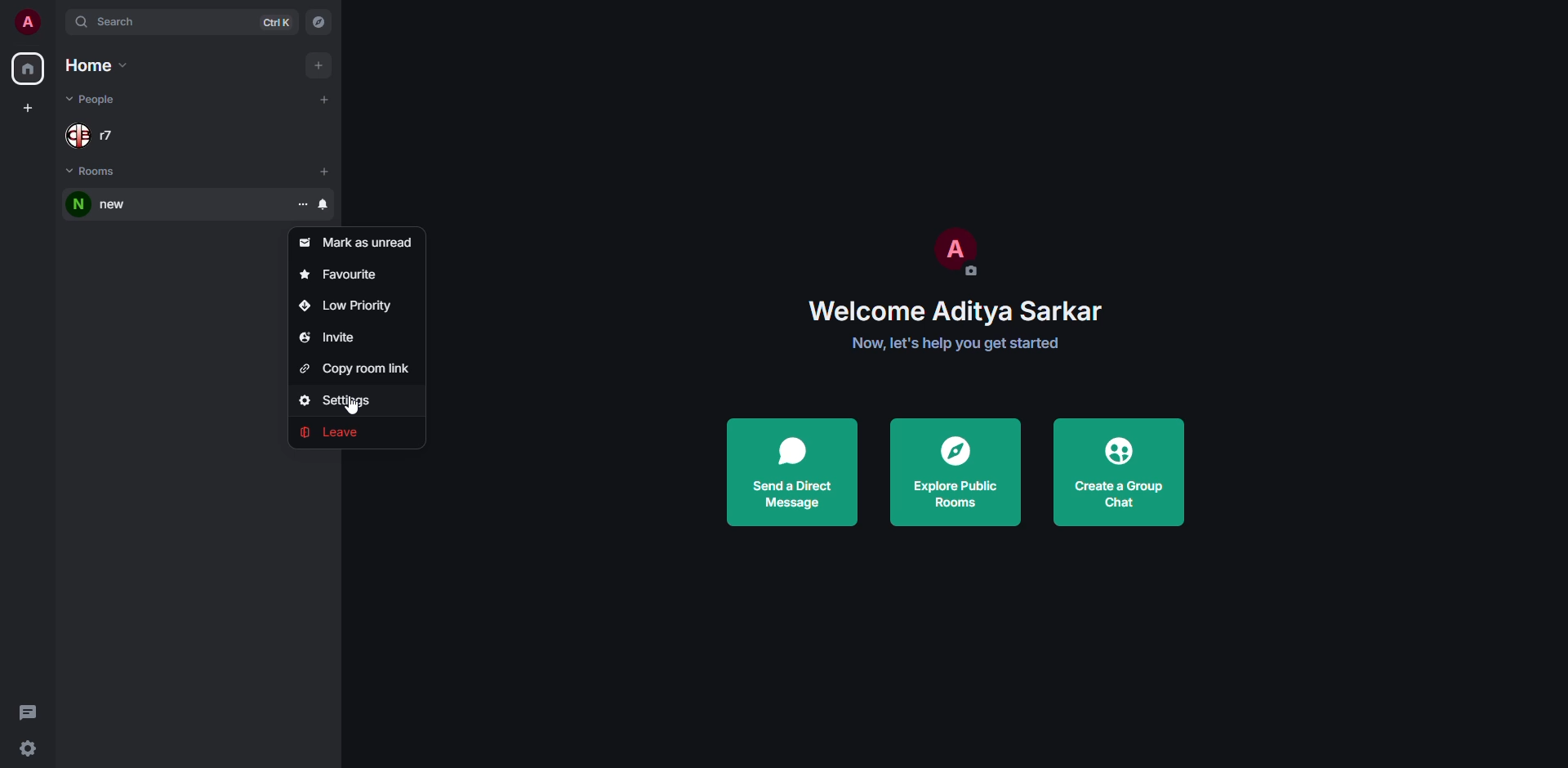 Image resolution: width=1568 pixels, height=768 pixels. Describe the element at coordinates (27, 710) in the screenshot. I see `threads` at that location.